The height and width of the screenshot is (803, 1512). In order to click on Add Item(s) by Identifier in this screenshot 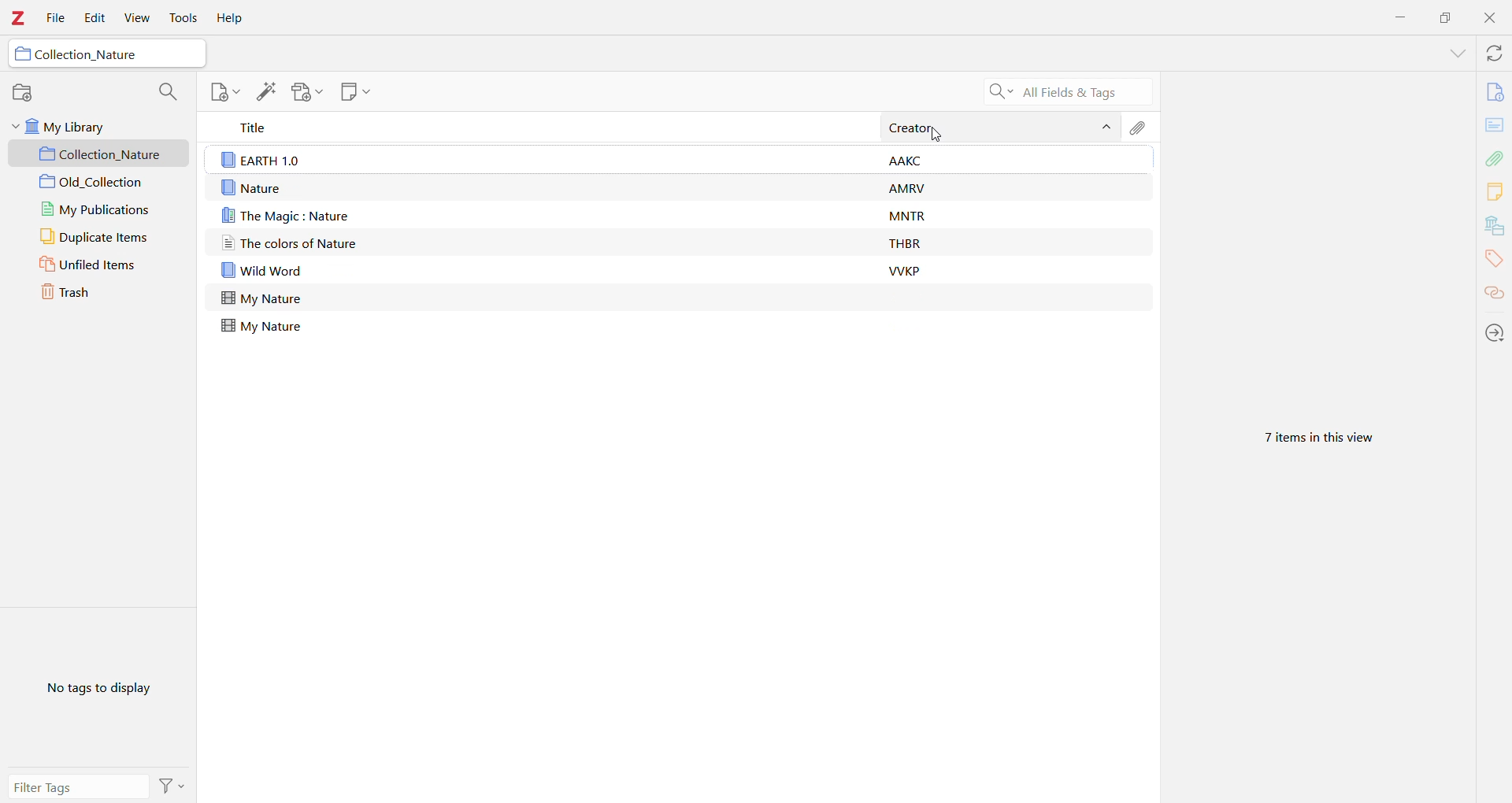, I will do `click(265, 92)`.